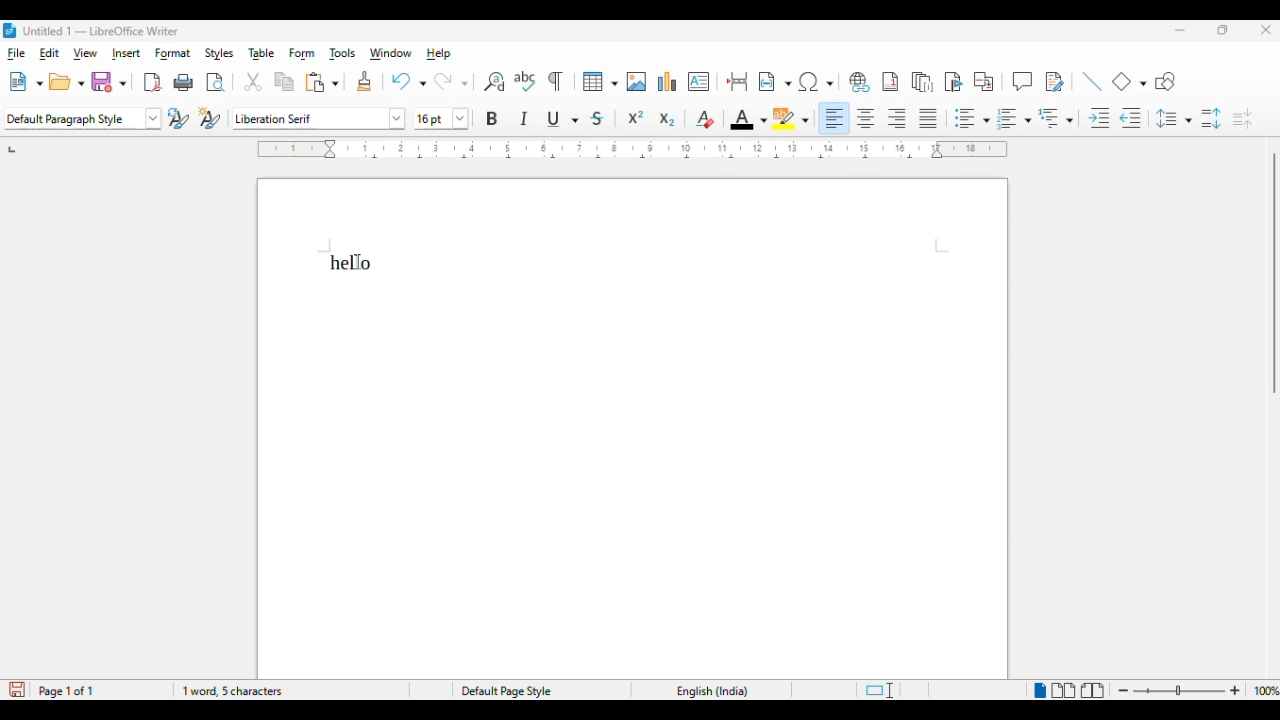 The height and width of the screenshot is (720, 1280). I want to click on font size, so click(442, 119).